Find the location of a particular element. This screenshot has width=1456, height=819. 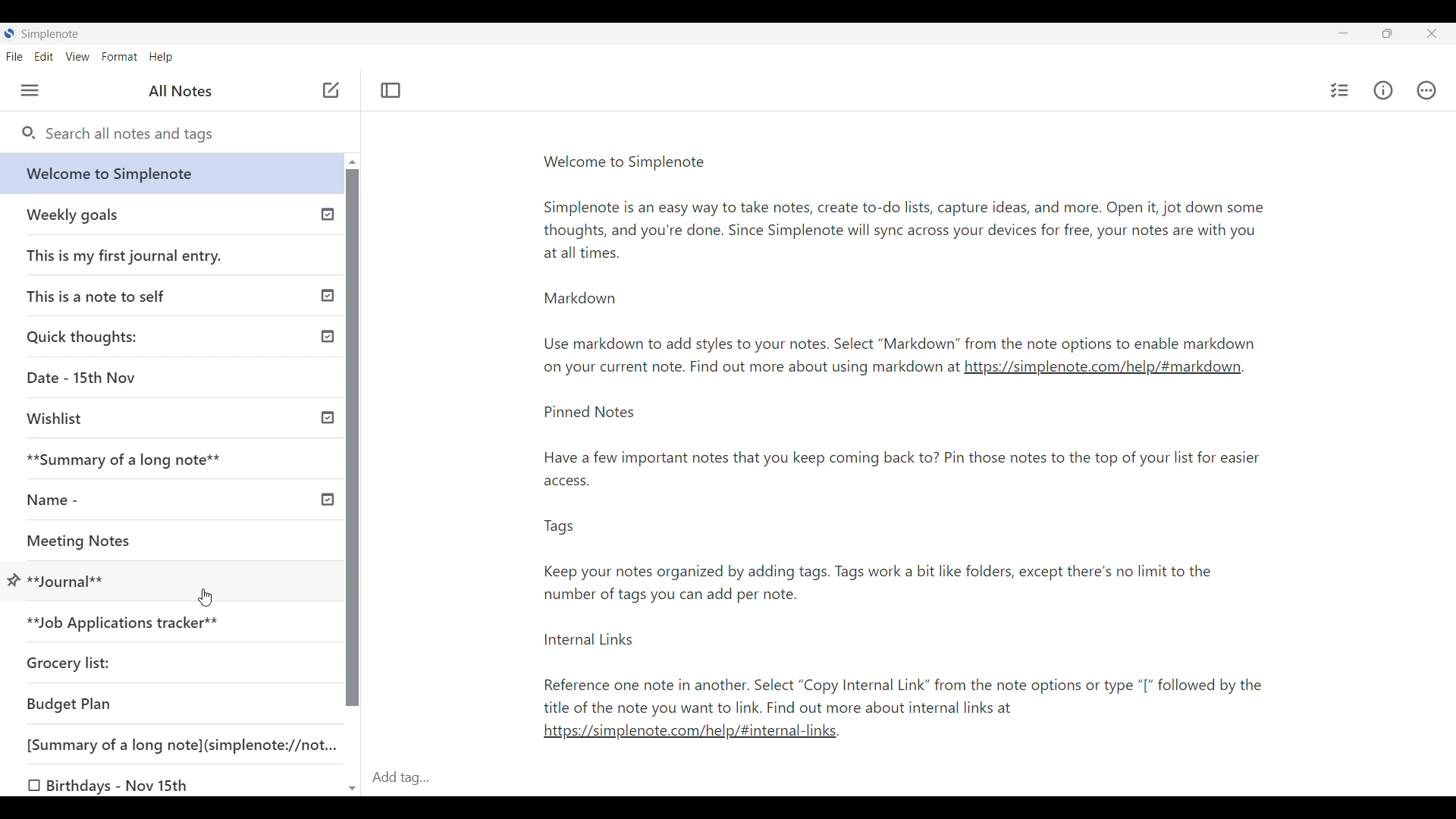

Note highlighted by cursor is located at coordinates (14, 582).